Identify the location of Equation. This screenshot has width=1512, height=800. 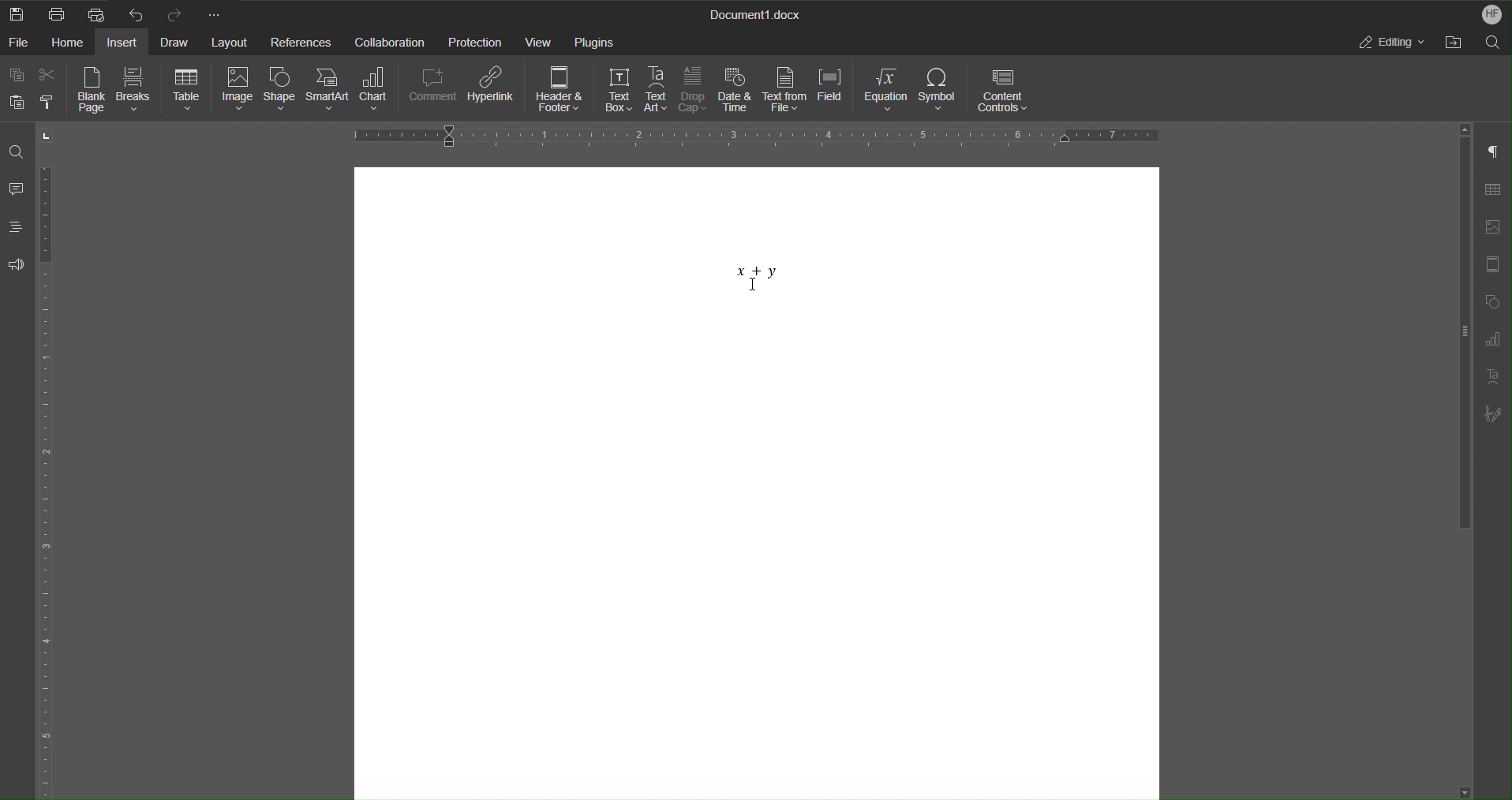
(885, 88).